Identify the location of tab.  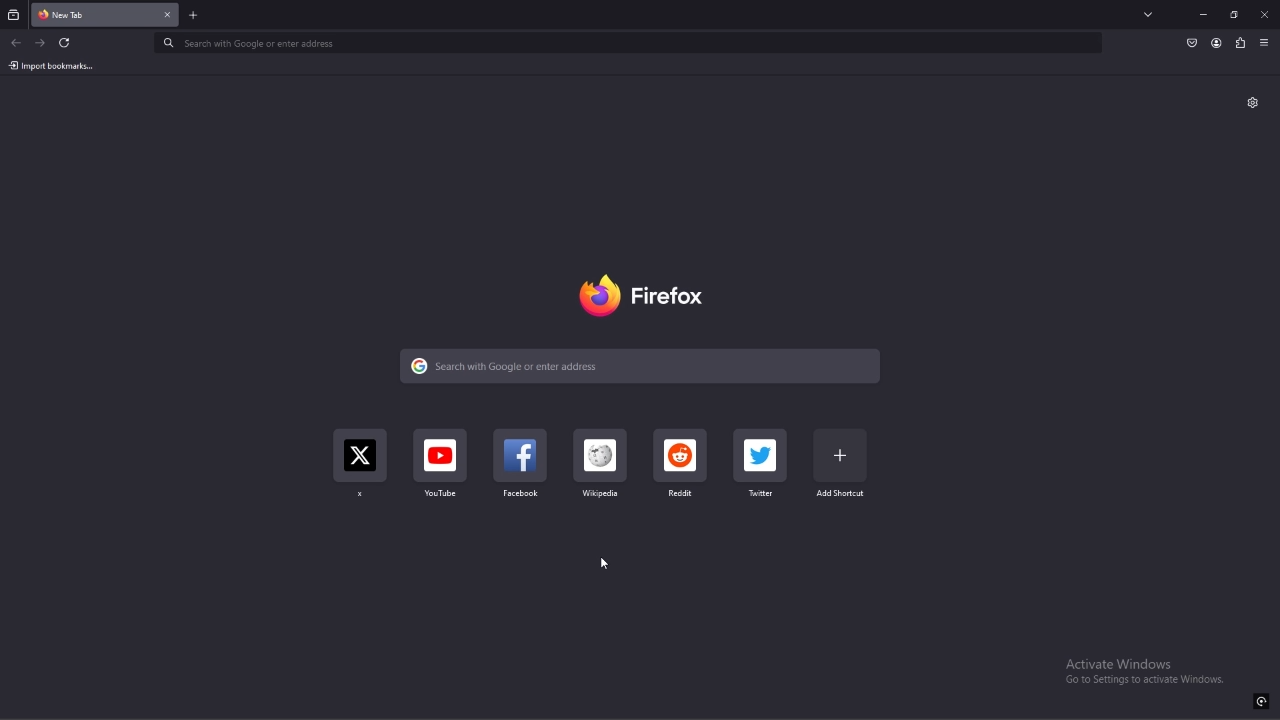
(85, 15).